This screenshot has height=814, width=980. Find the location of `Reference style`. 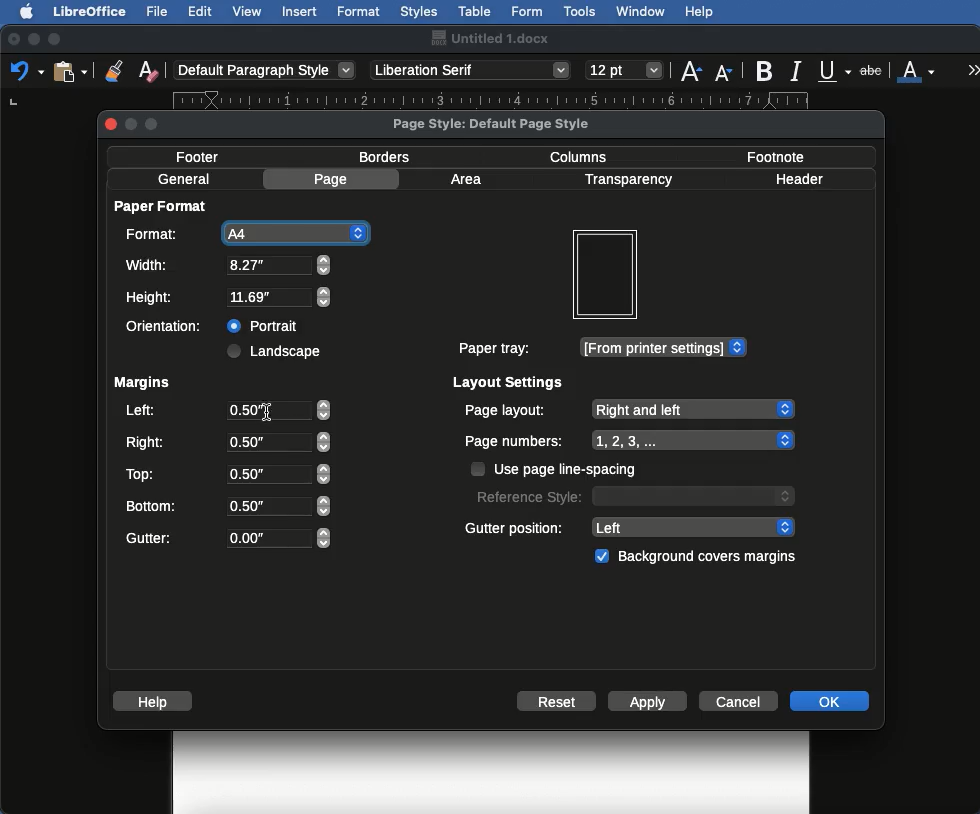

Reference style is located at coordinates (633, 495).